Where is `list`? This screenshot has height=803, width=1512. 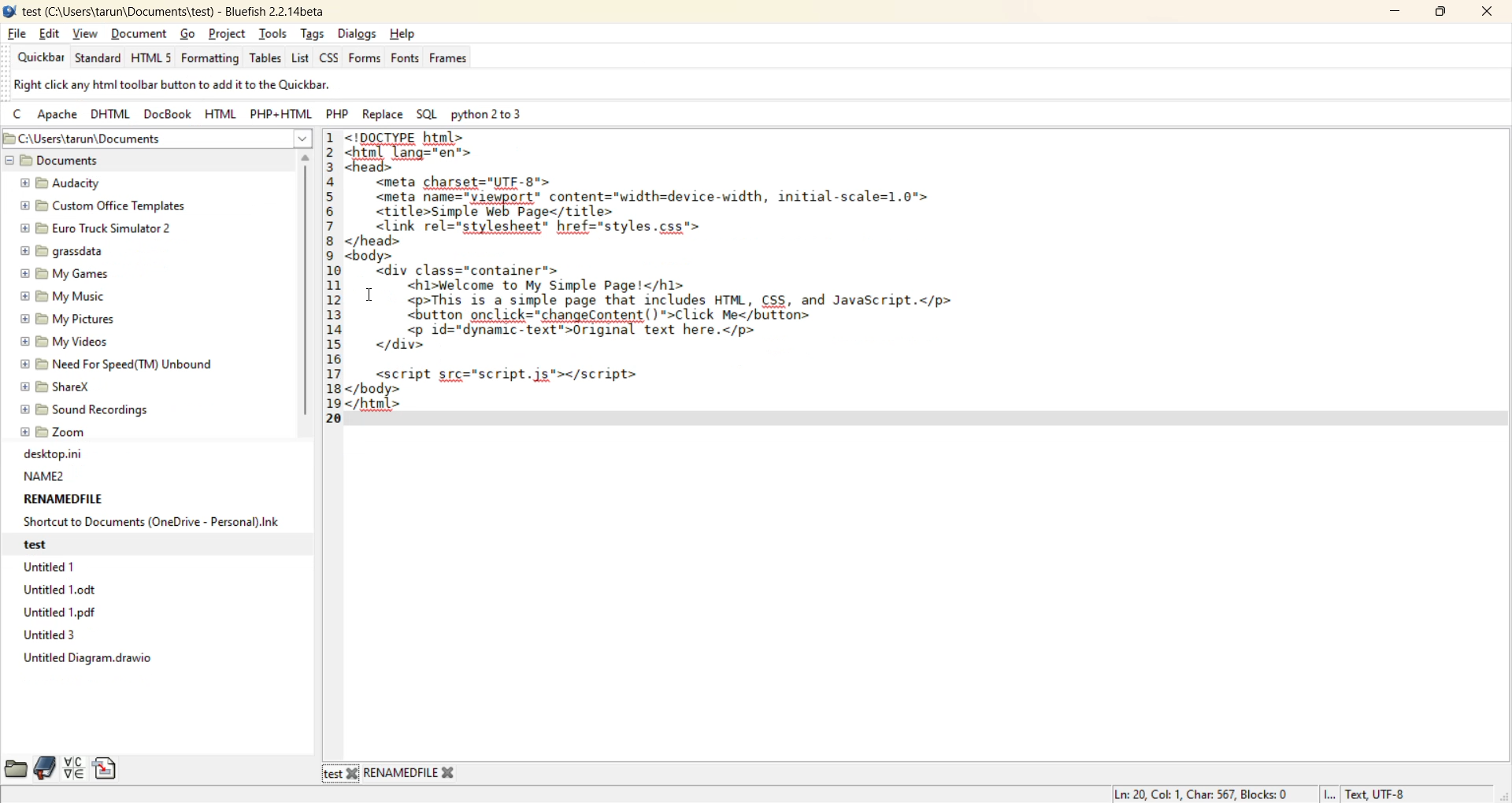 list is located at coordinates (301, 61).